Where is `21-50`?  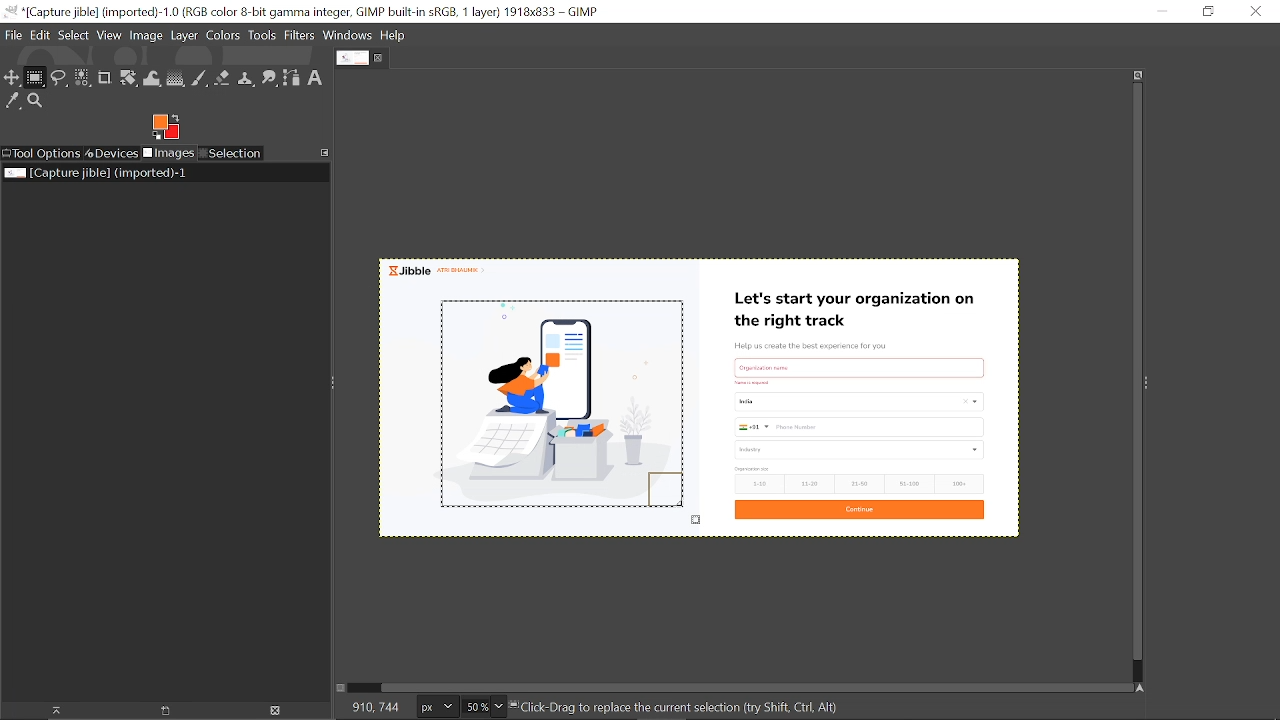
21-50 is located at coordinates (860, 483).